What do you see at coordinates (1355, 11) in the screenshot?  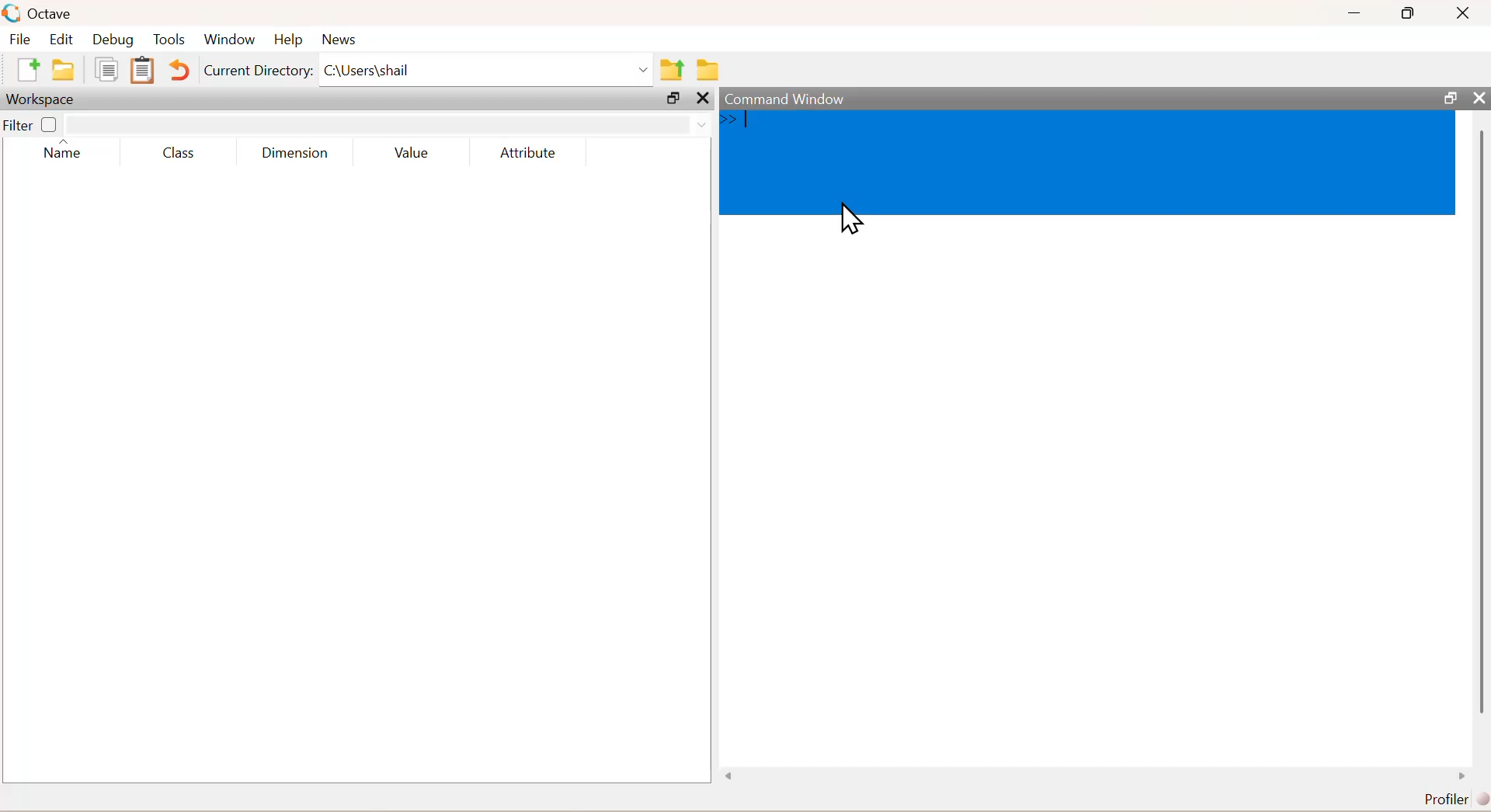 I see `minimise` at bounding box center [1355, 11].